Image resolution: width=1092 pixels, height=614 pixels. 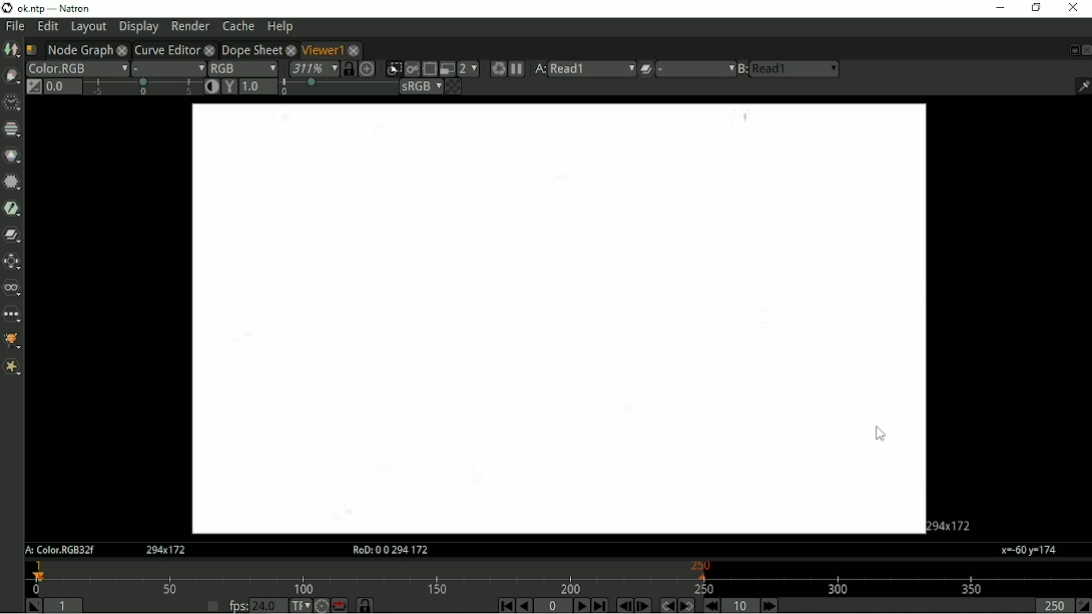 I want to click on Restore down, so click(x=1037, y=9).